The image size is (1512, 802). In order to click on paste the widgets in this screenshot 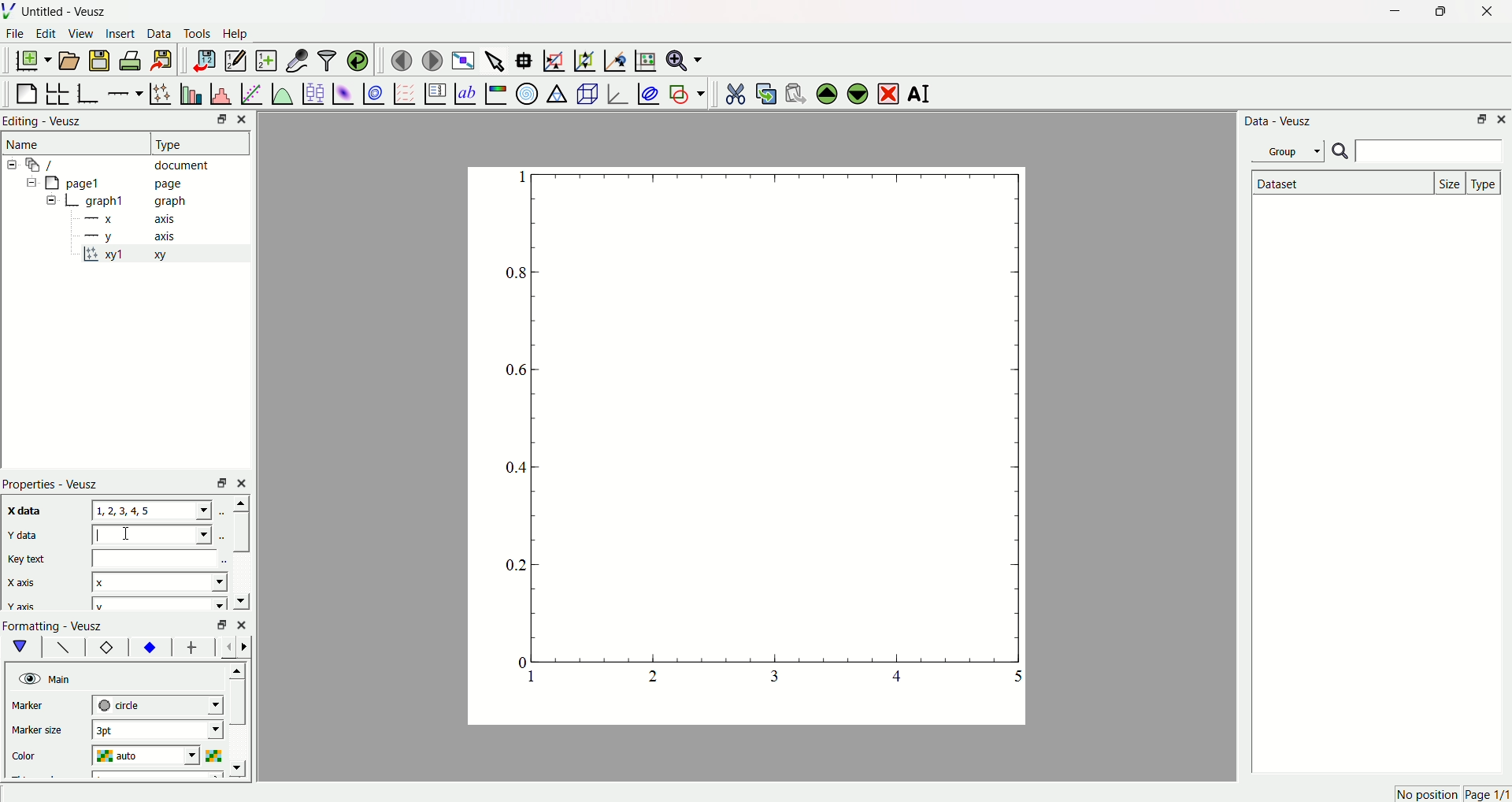, I will do `click(796, 91)`.